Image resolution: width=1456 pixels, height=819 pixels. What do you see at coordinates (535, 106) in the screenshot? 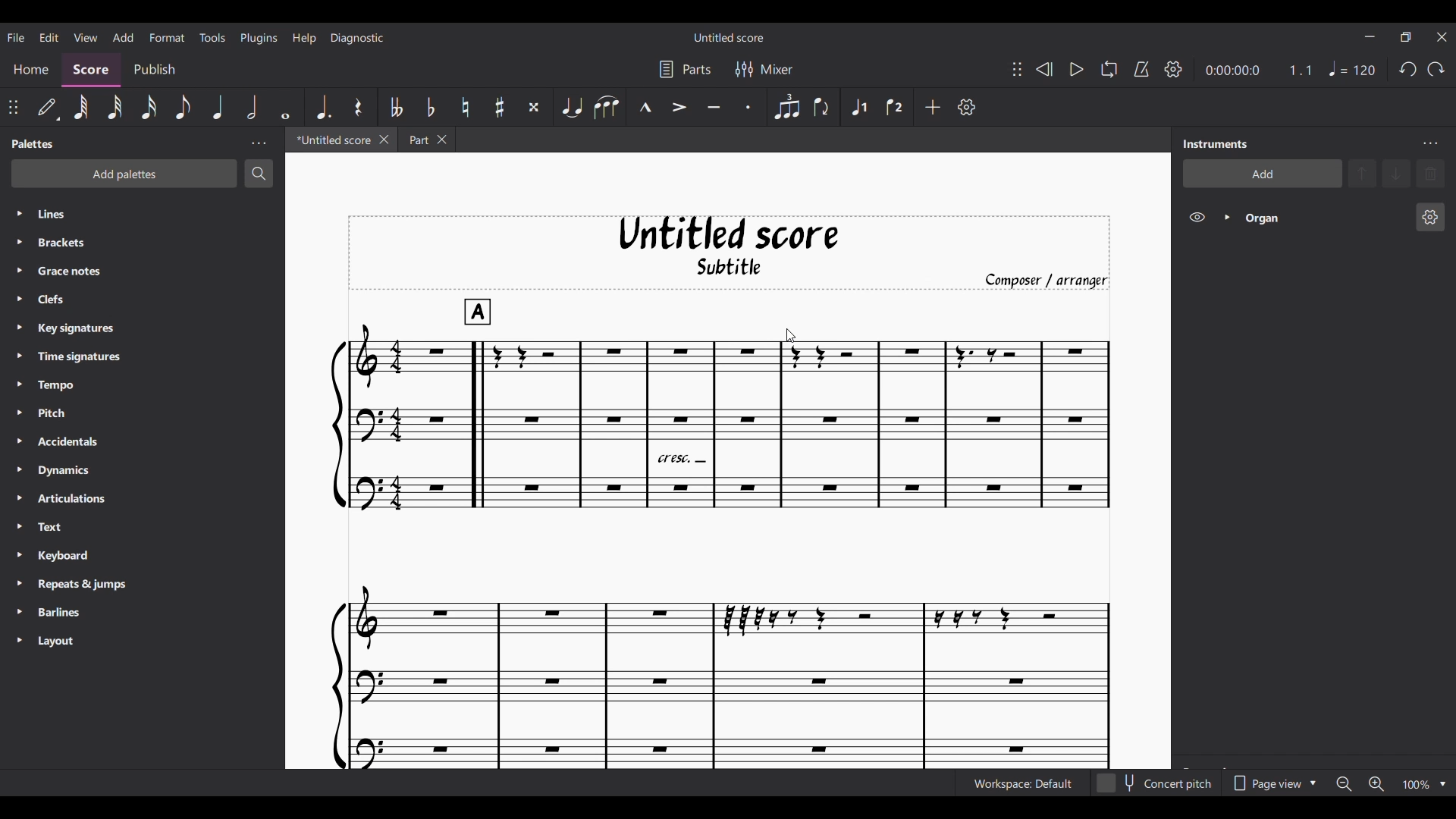
I see `Toggle double sharp` at bounding box center [535, 106].